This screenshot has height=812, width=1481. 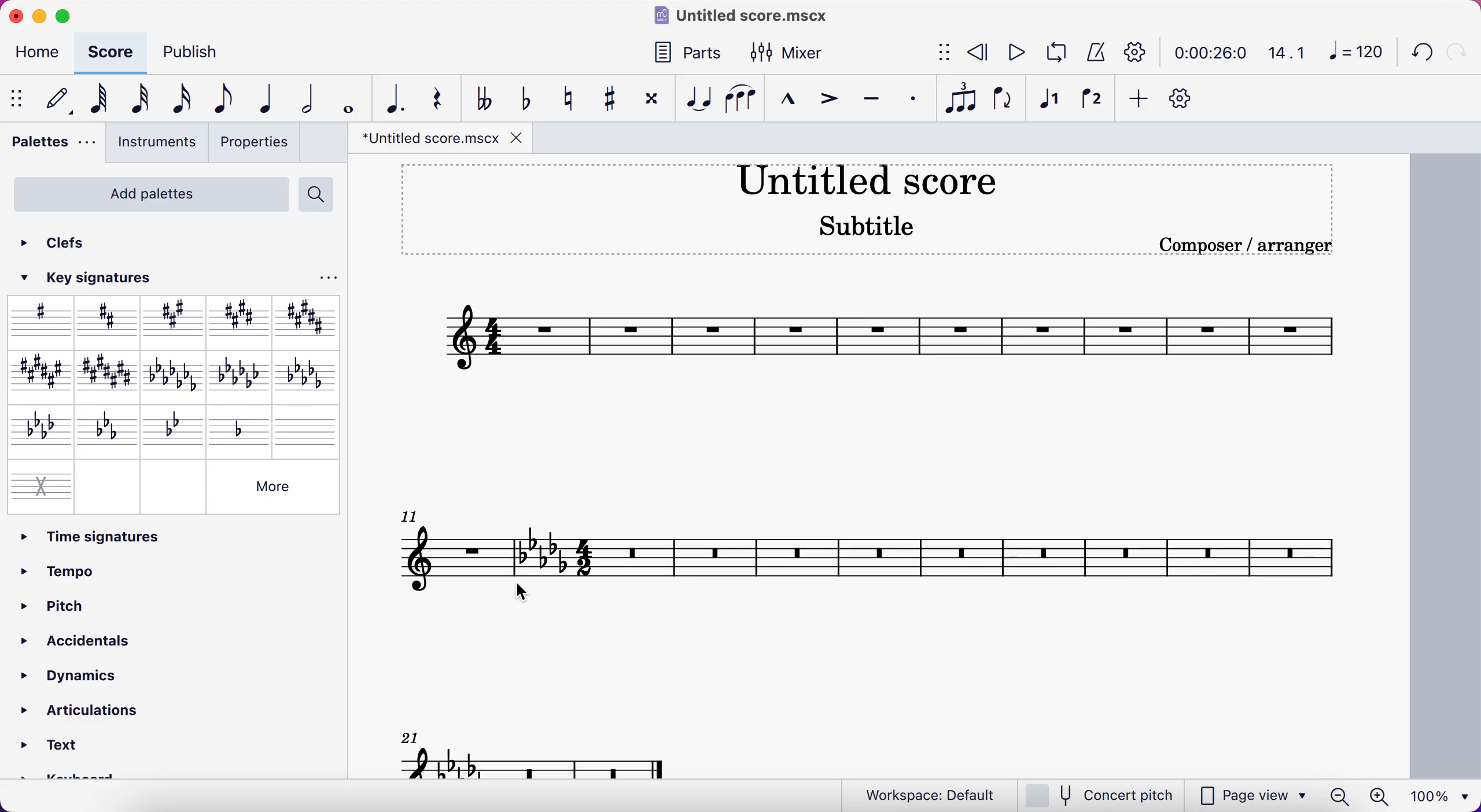 I want to click on publish, so click(x=196, y=52).